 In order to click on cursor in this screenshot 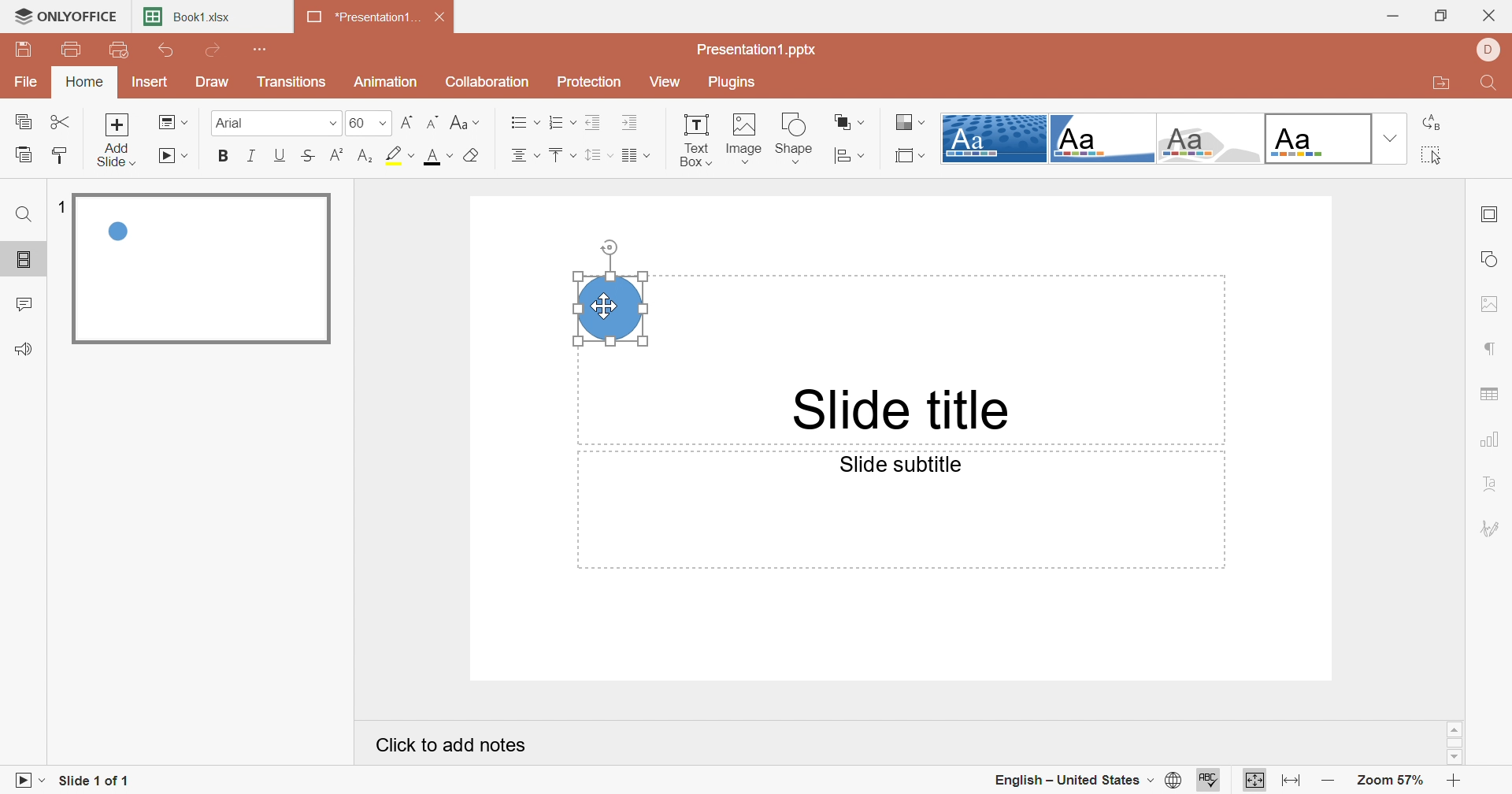, I will do `click(606, 309)`.